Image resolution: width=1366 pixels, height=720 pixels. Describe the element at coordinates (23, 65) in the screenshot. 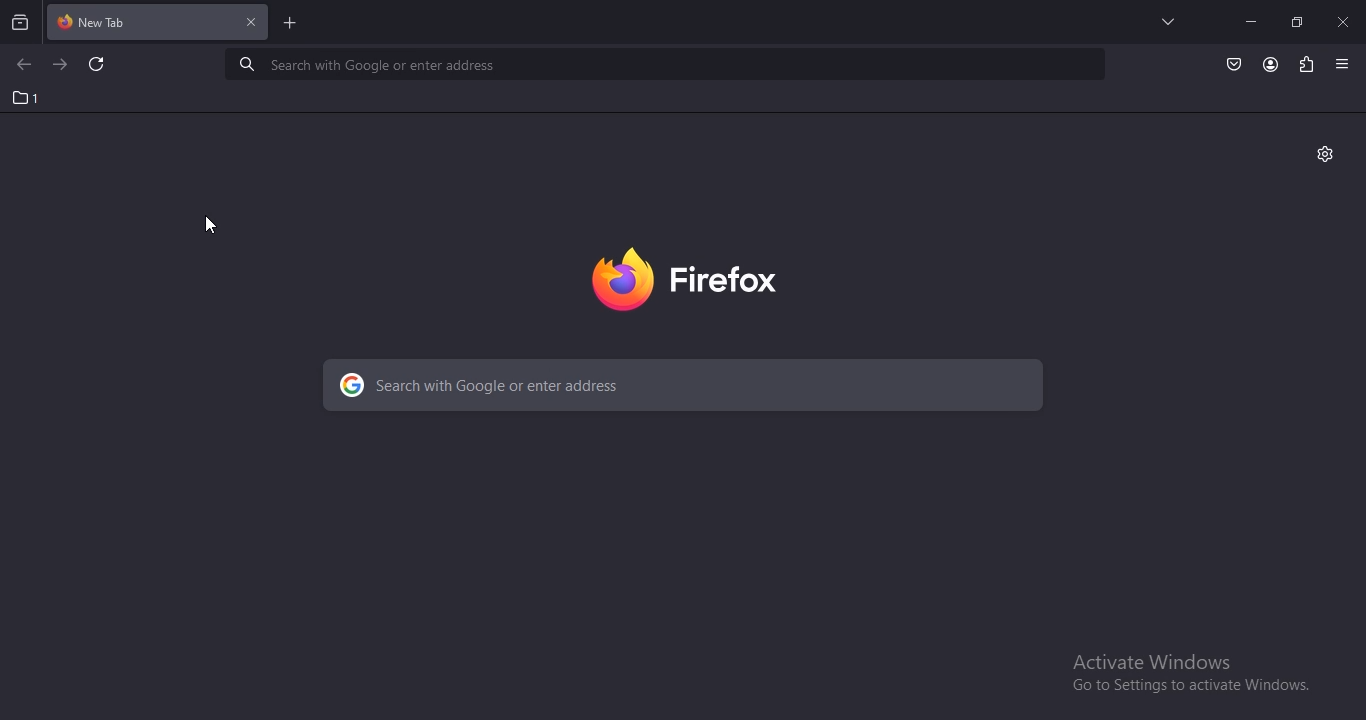

I see `click to go to previous page` at that location.